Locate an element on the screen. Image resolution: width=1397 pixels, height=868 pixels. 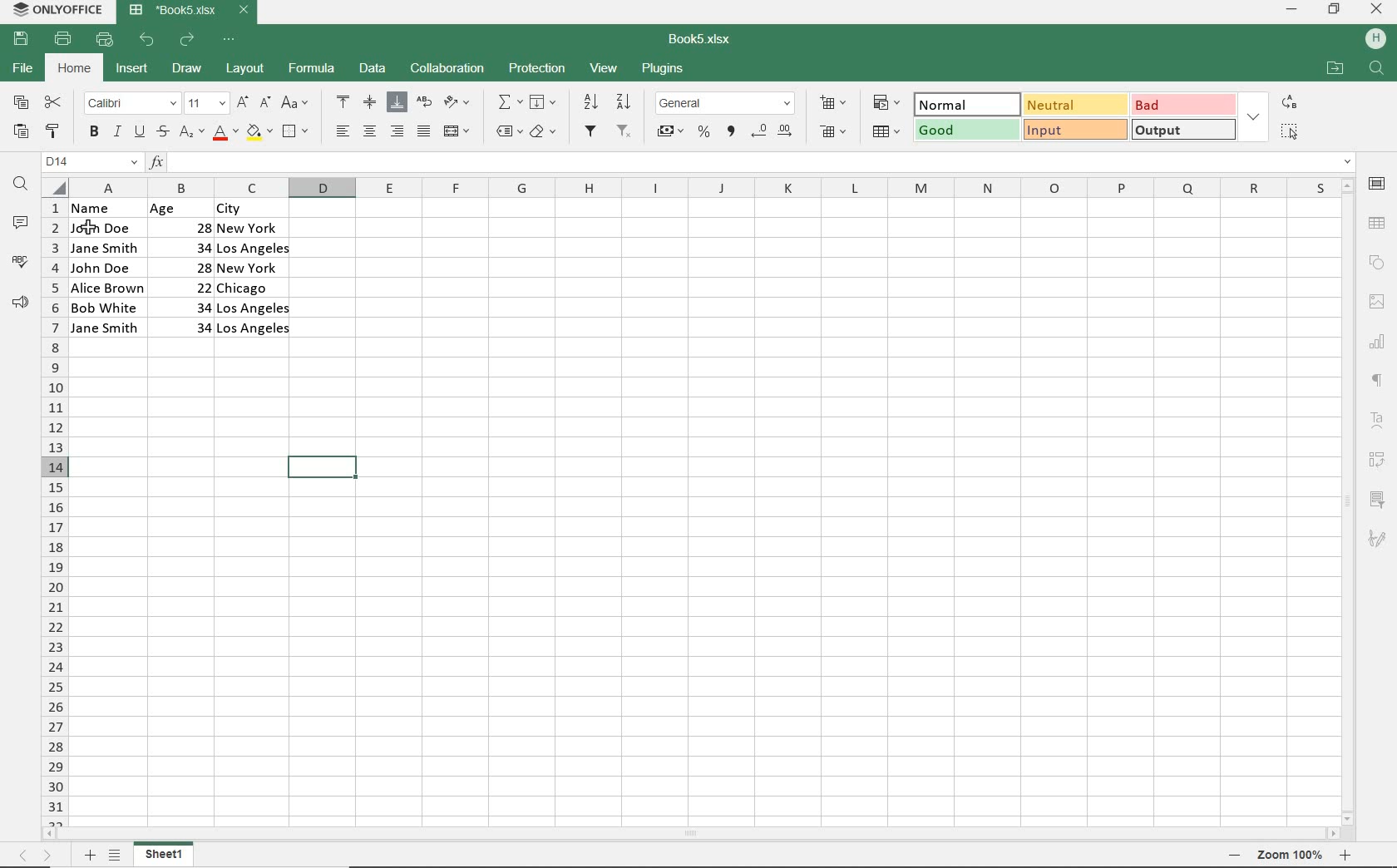
SCROLLBAR is located at coordinates (1350, 501).